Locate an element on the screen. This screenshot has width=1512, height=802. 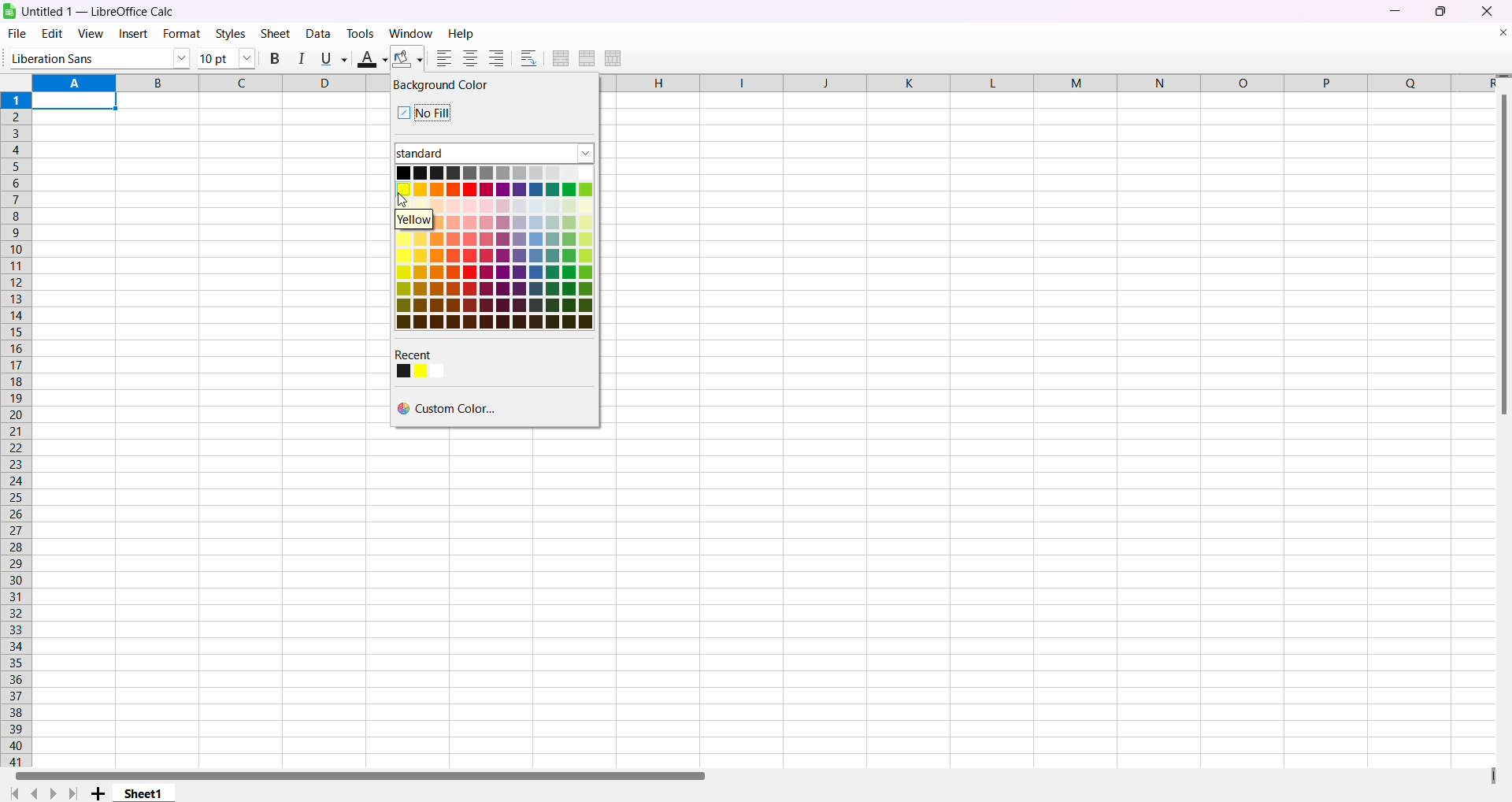
color option is located at coordinates (491, 248).